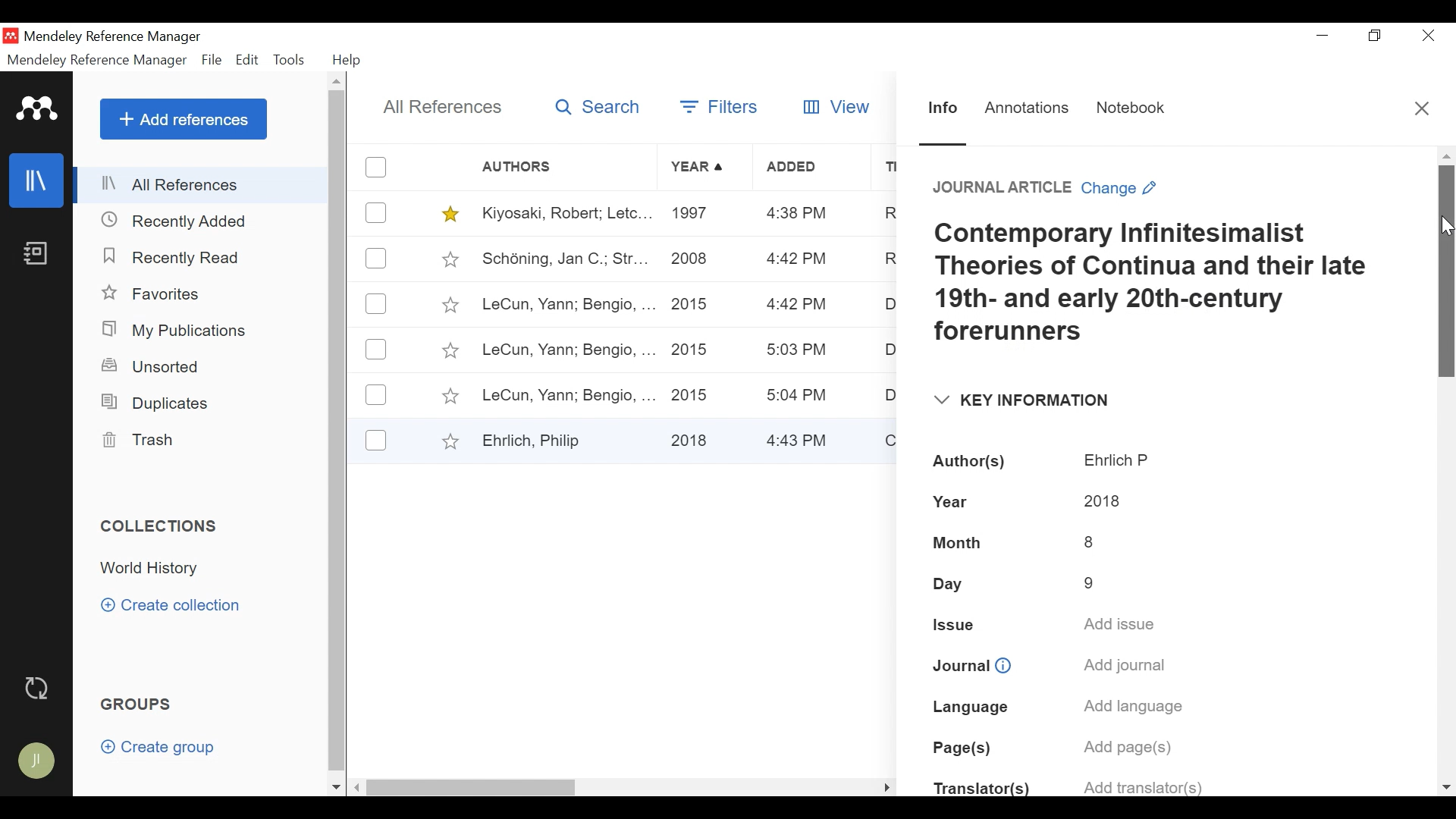 The image size is (1456, 819). Describe the element at coordinates (377, 212) in the screenshot. I see `(un)select` at that location.